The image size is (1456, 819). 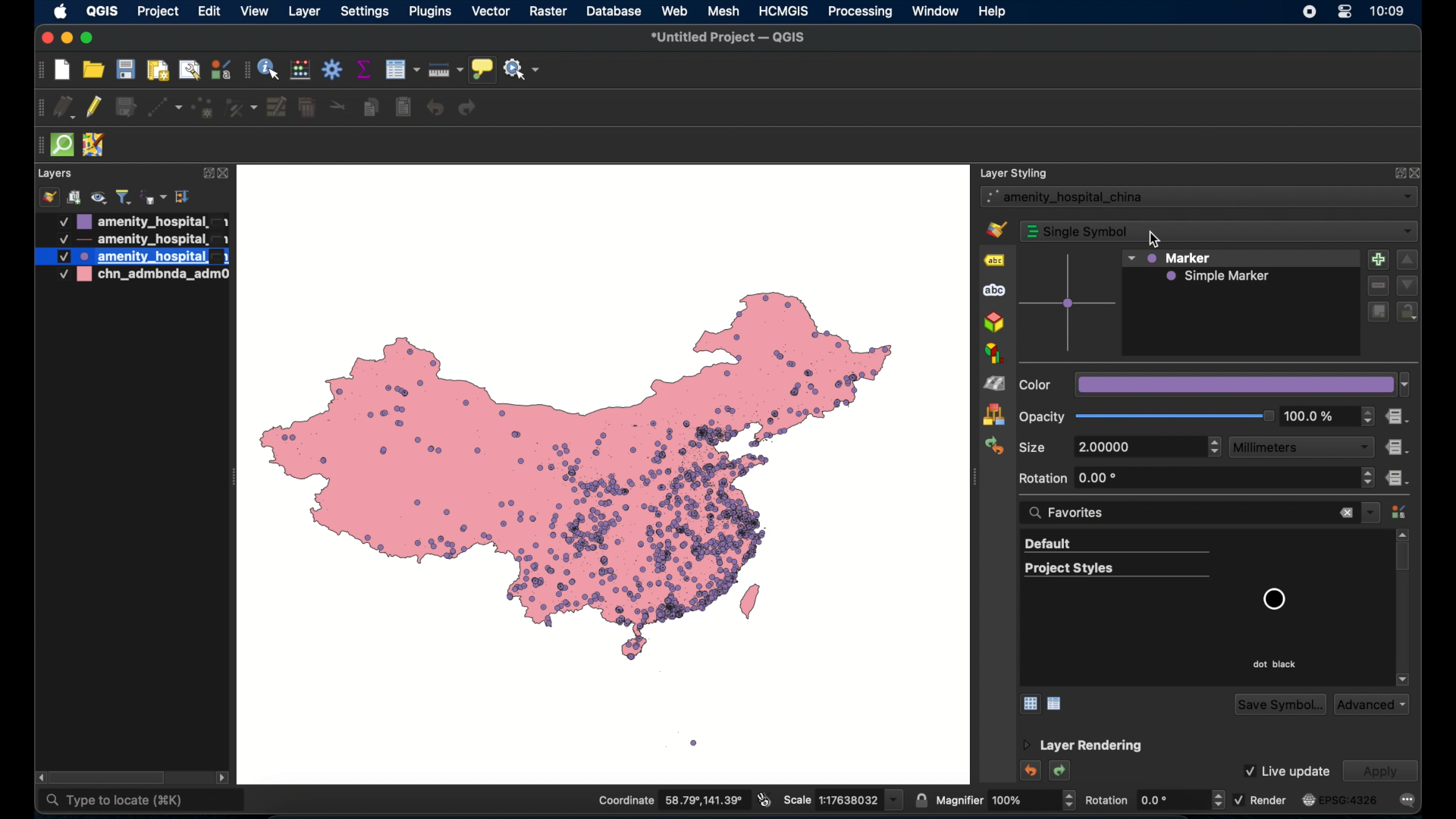 I want to click on move down, so click(x=1407, y=284).